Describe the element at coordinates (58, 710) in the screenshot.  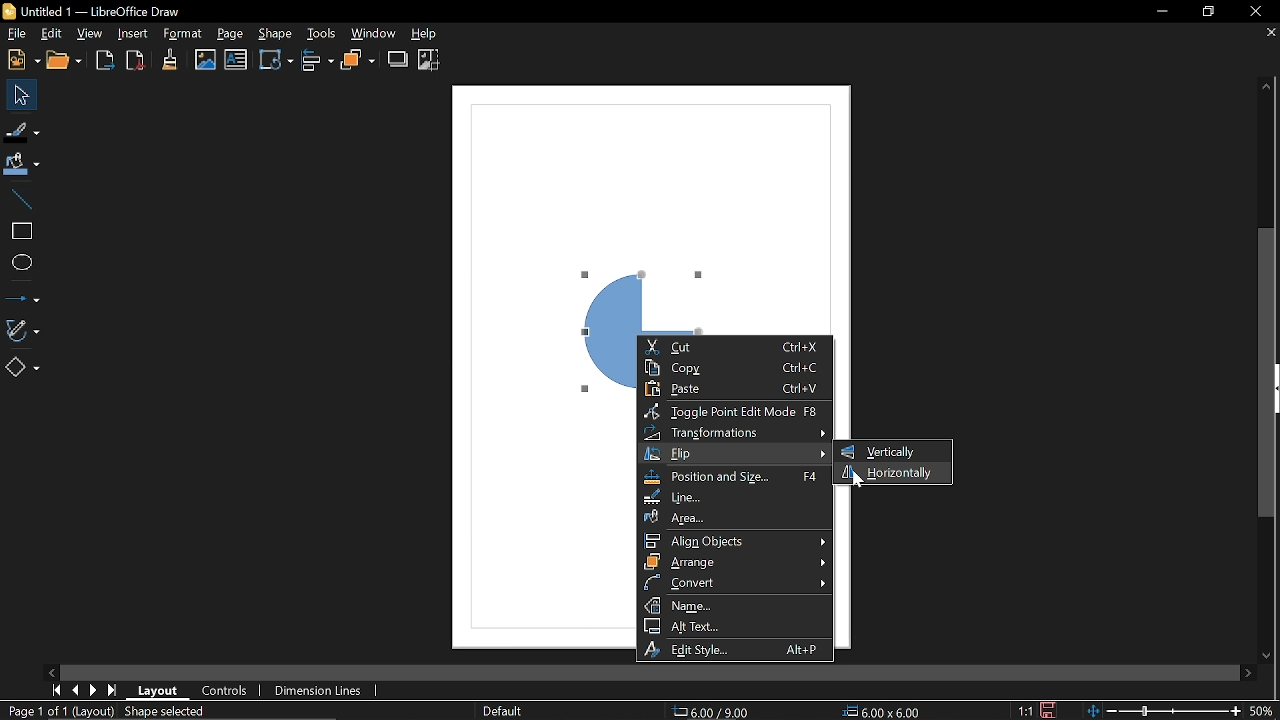
I see `Current page` at that location.